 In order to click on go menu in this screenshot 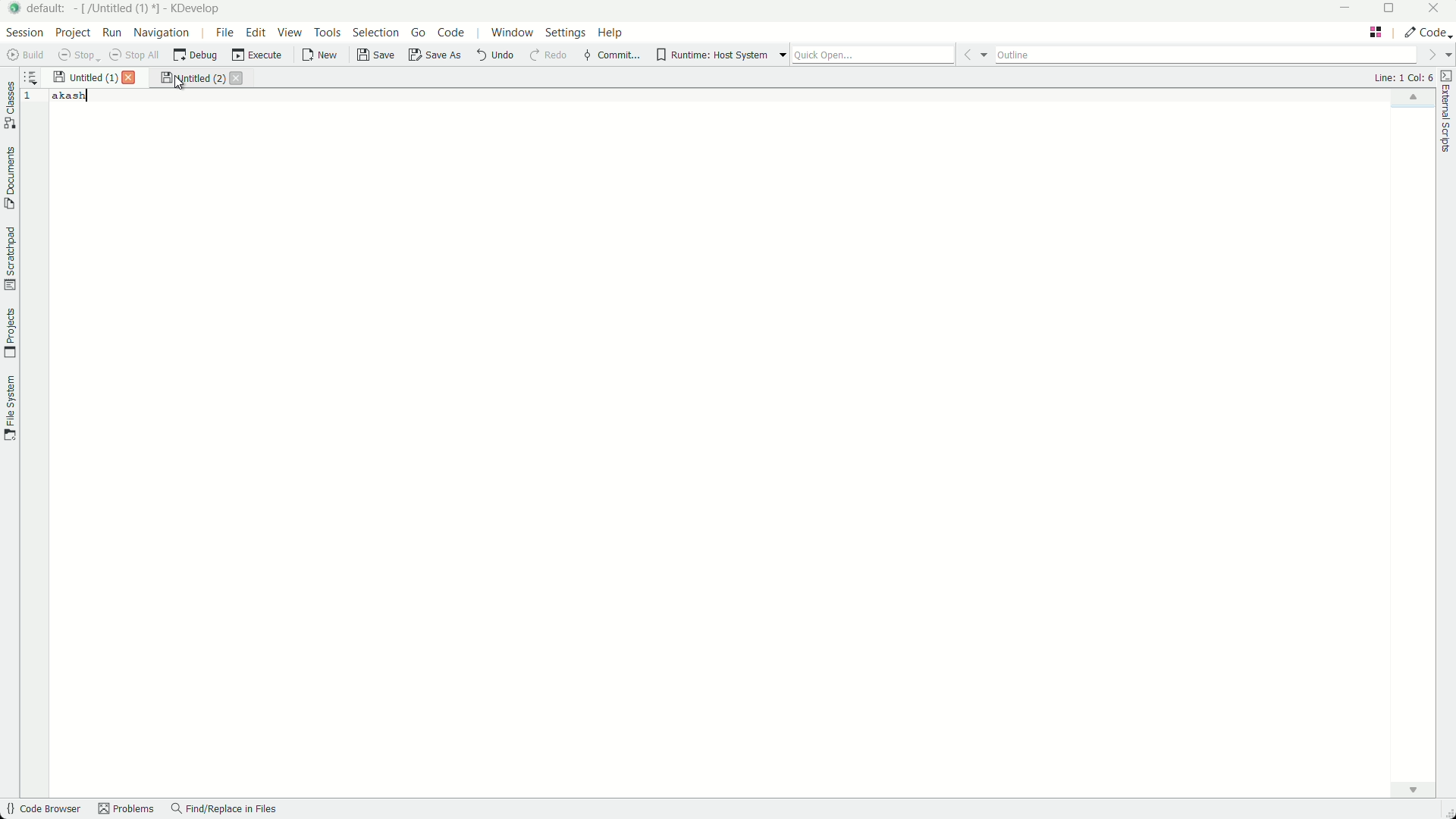, I will do `click(416, 33)`.